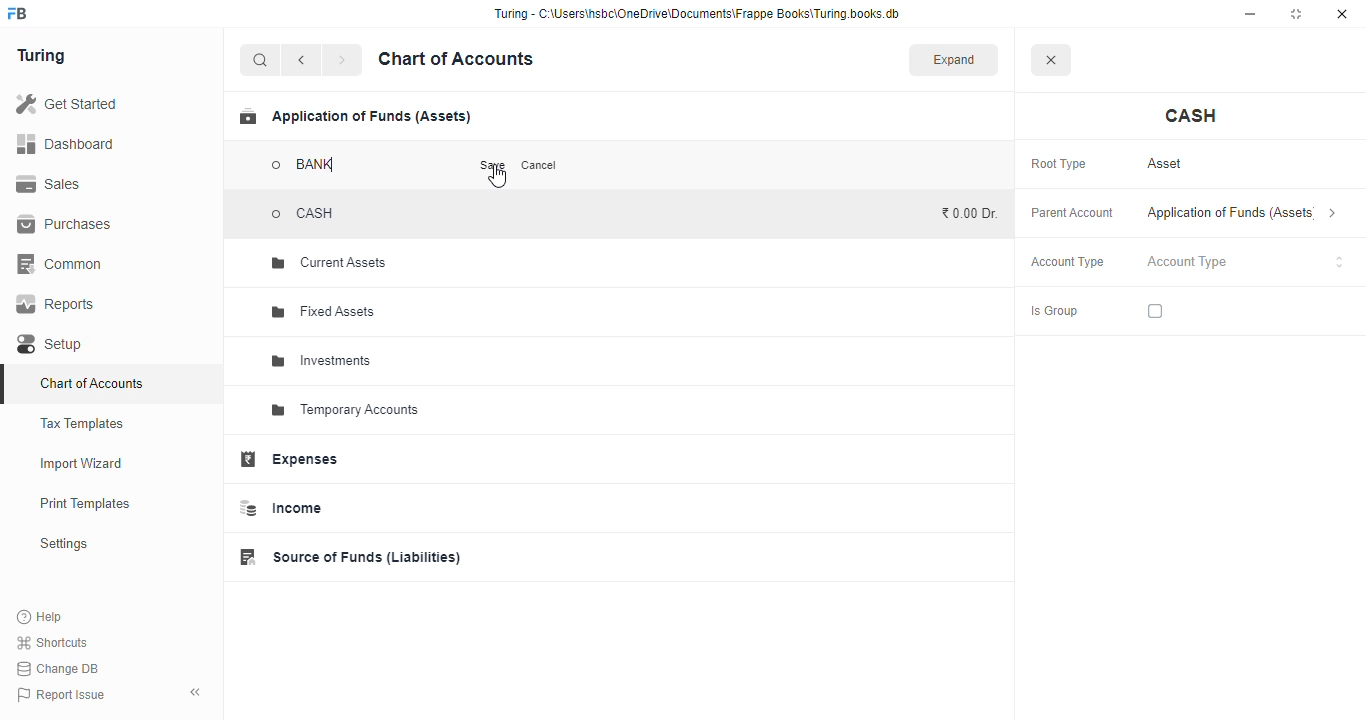 The width and height of the screenshot is (1366, 720). I want to click on search, so click(261, 60).